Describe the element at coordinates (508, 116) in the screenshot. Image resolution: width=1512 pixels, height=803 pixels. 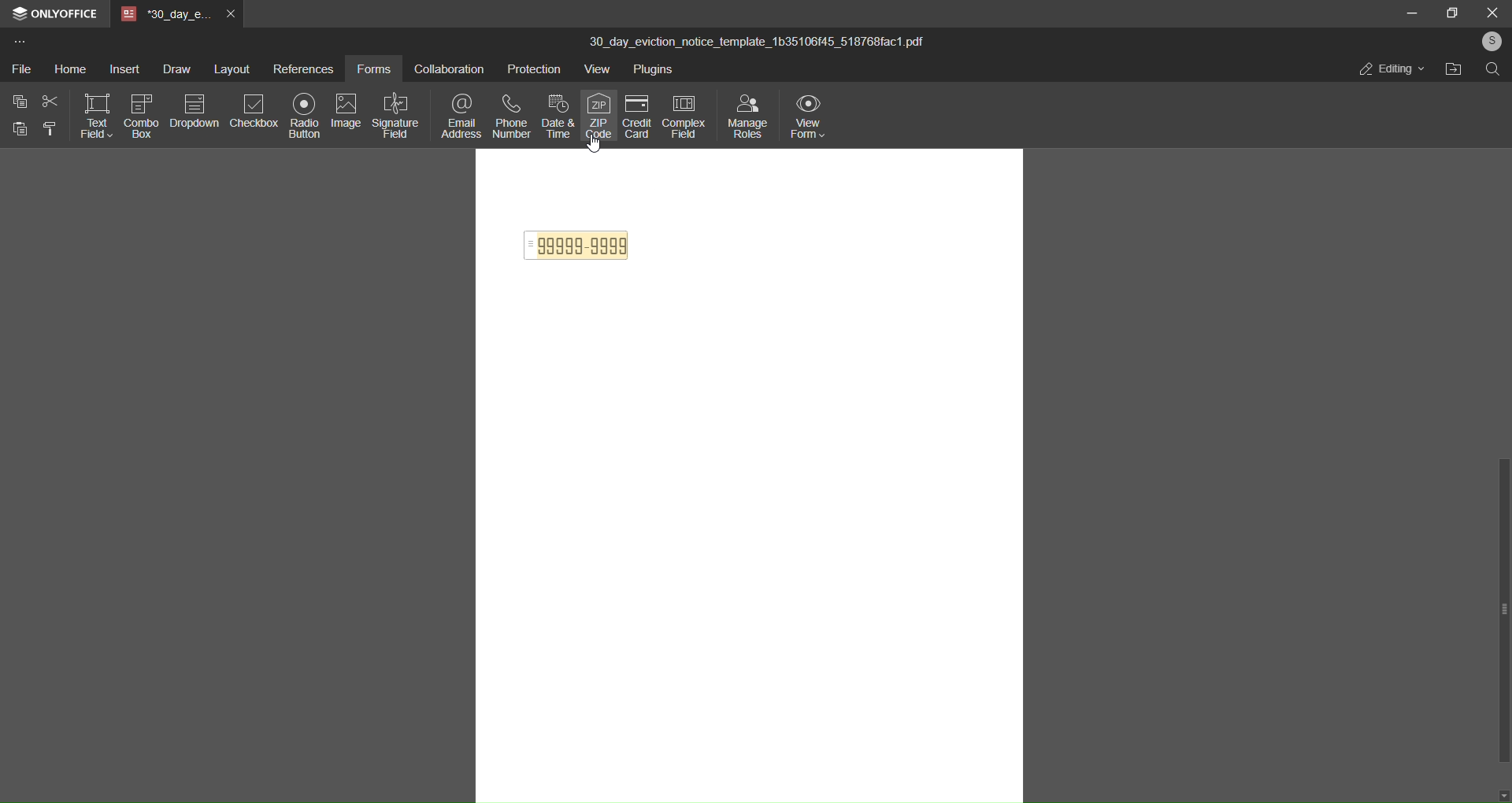
I see `phone number` at that location.